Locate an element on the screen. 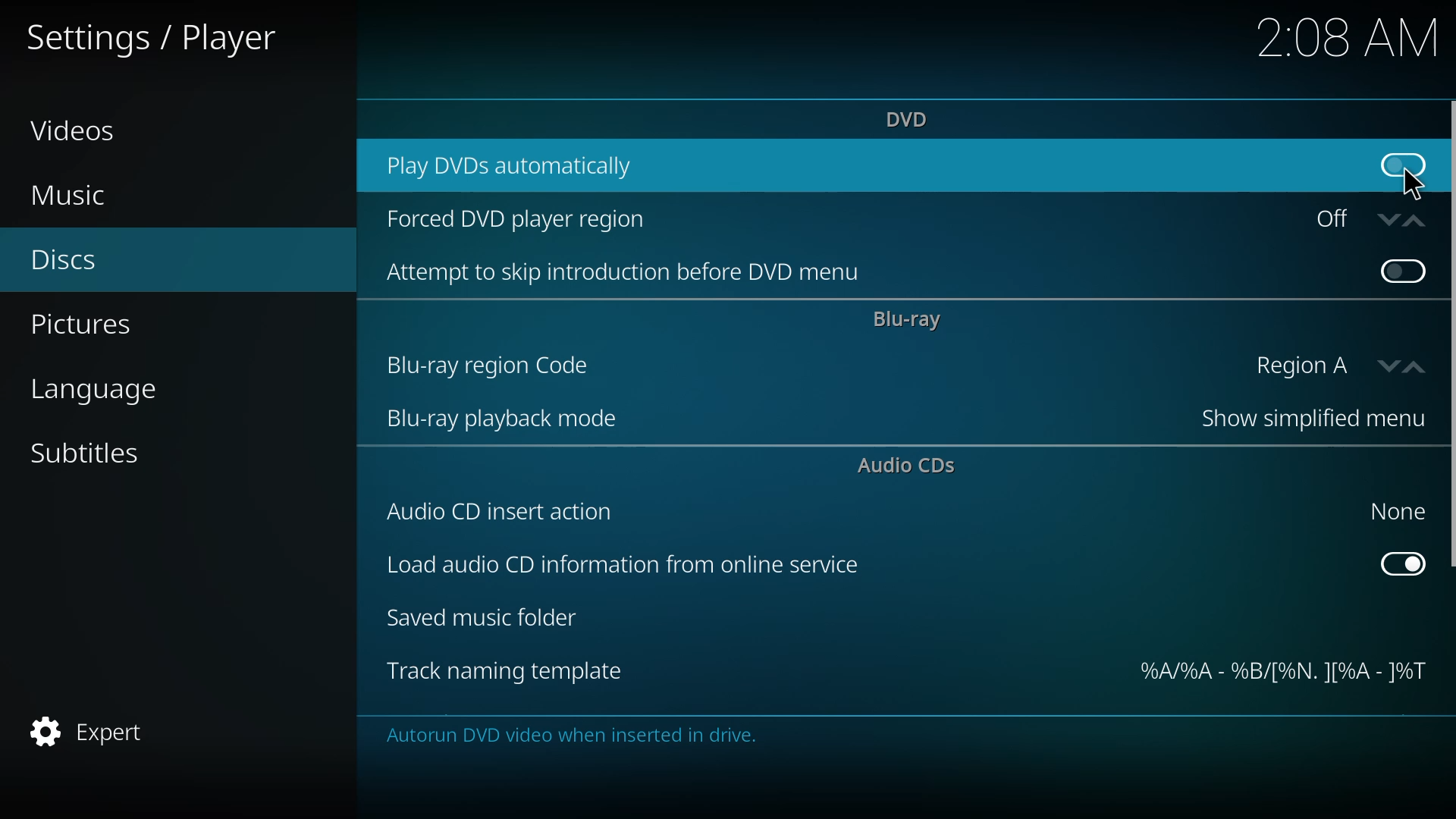  audio cds is located at coordinates (912, 467).